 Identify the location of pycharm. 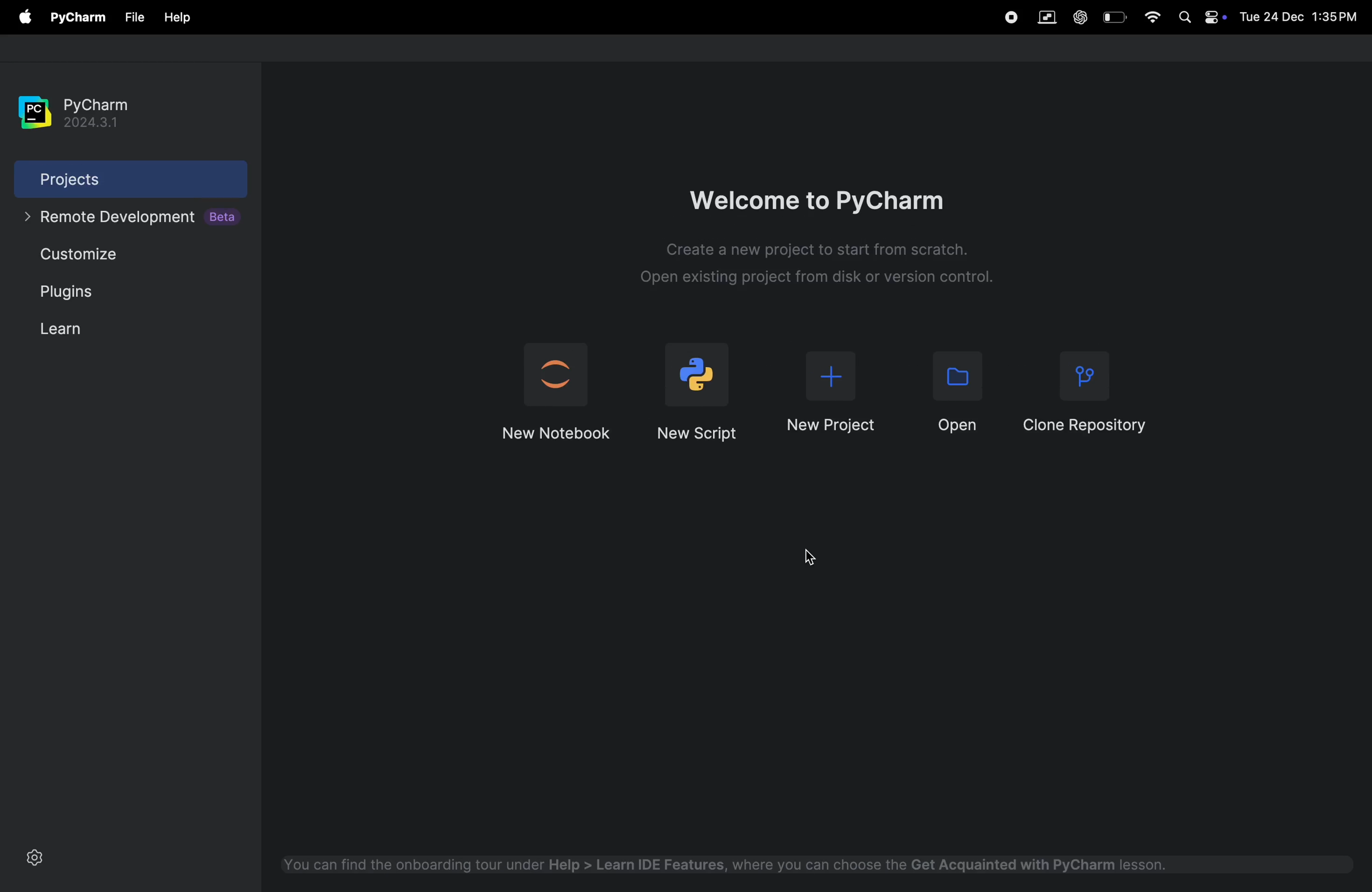
(74, 18).